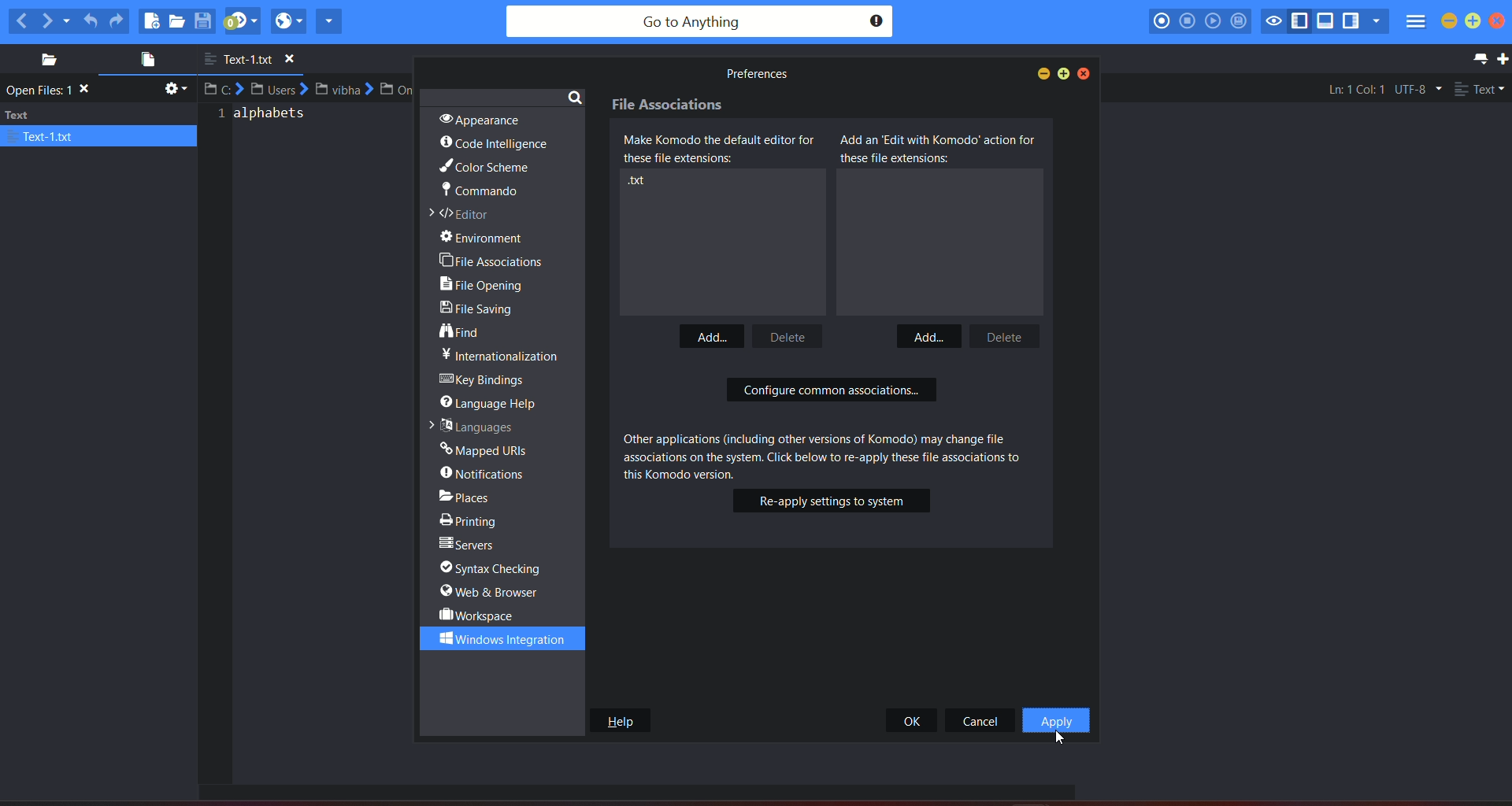 The width and height of the screenshot is (1512, 806). I want to click on maximize, so click(1474, 20).